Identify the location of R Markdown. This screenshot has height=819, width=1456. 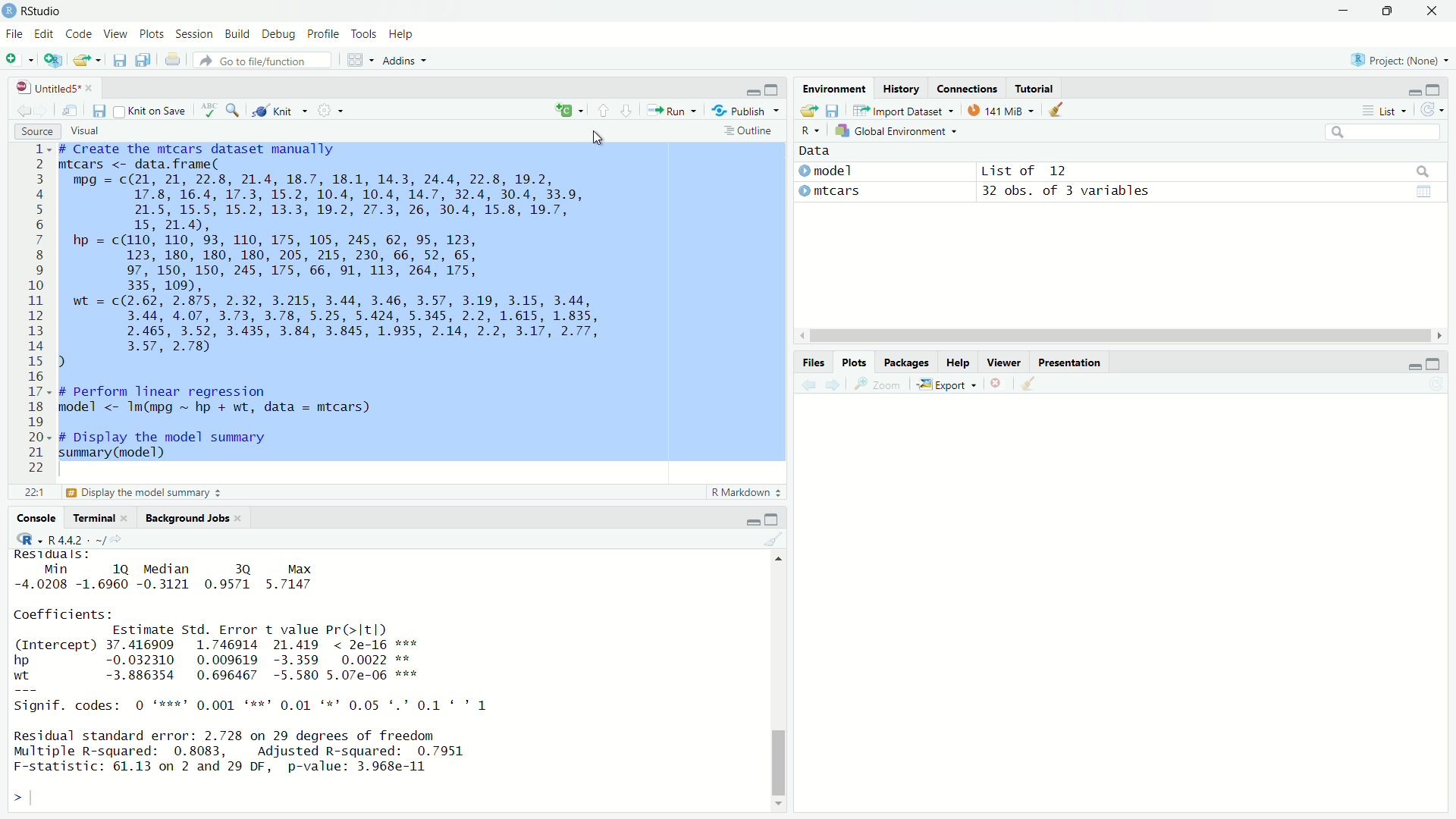
(744, 493).